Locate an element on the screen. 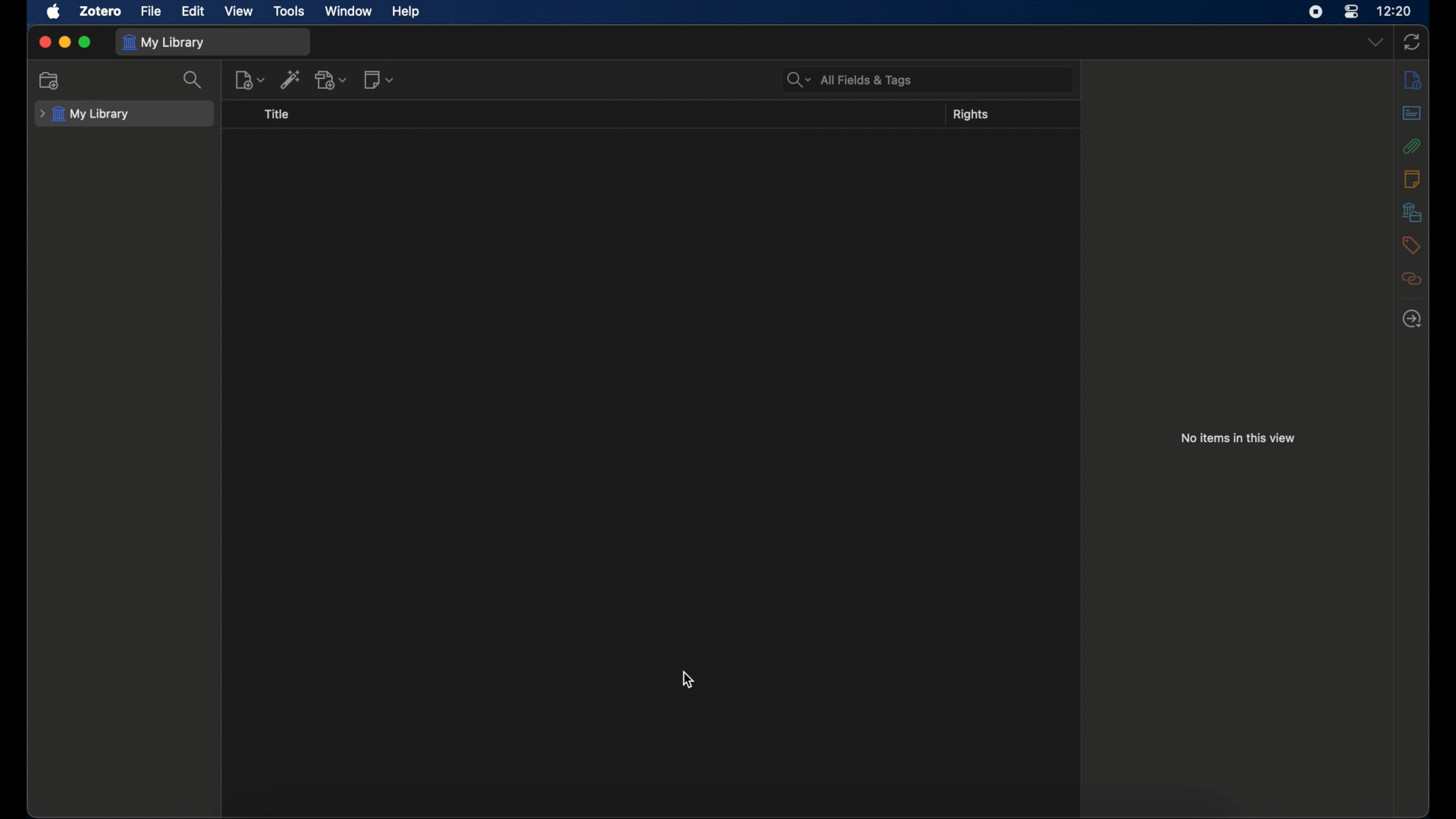  tags is located at coordinates (1410, 246).